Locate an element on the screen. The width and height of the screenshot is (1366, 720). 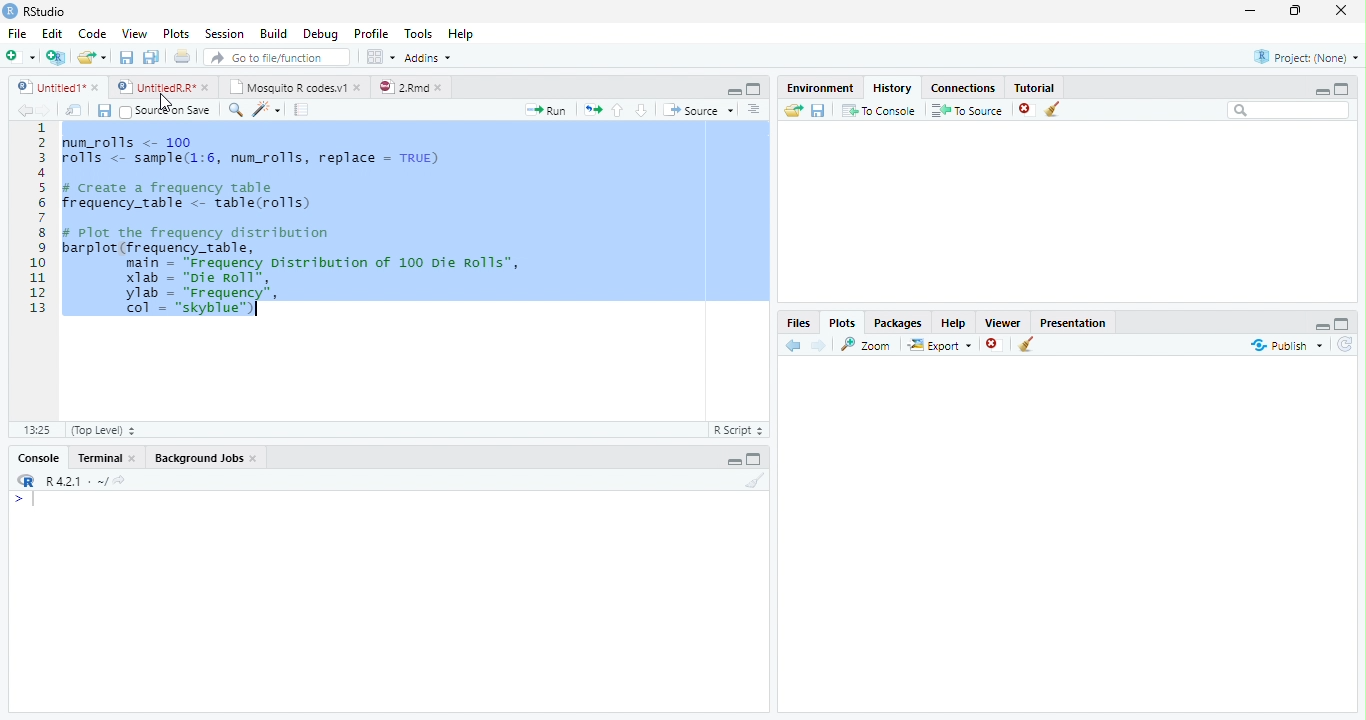
Run is located at coordinates (547, 110).